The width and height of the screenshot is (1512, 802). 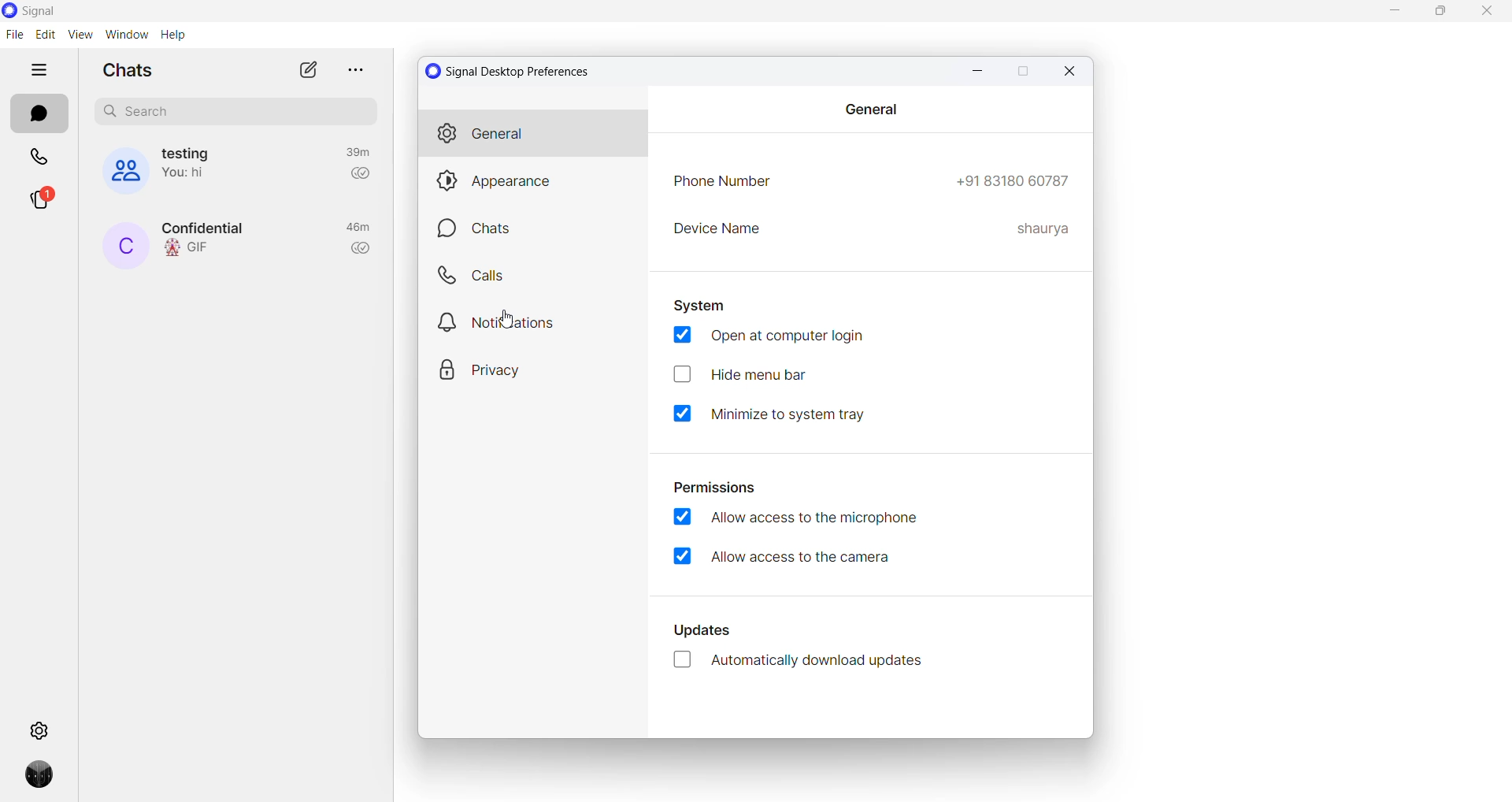 What do you see at coordinates (34, 780) in the screenshot?
I see `Profile` at bounding box center [34, 780].